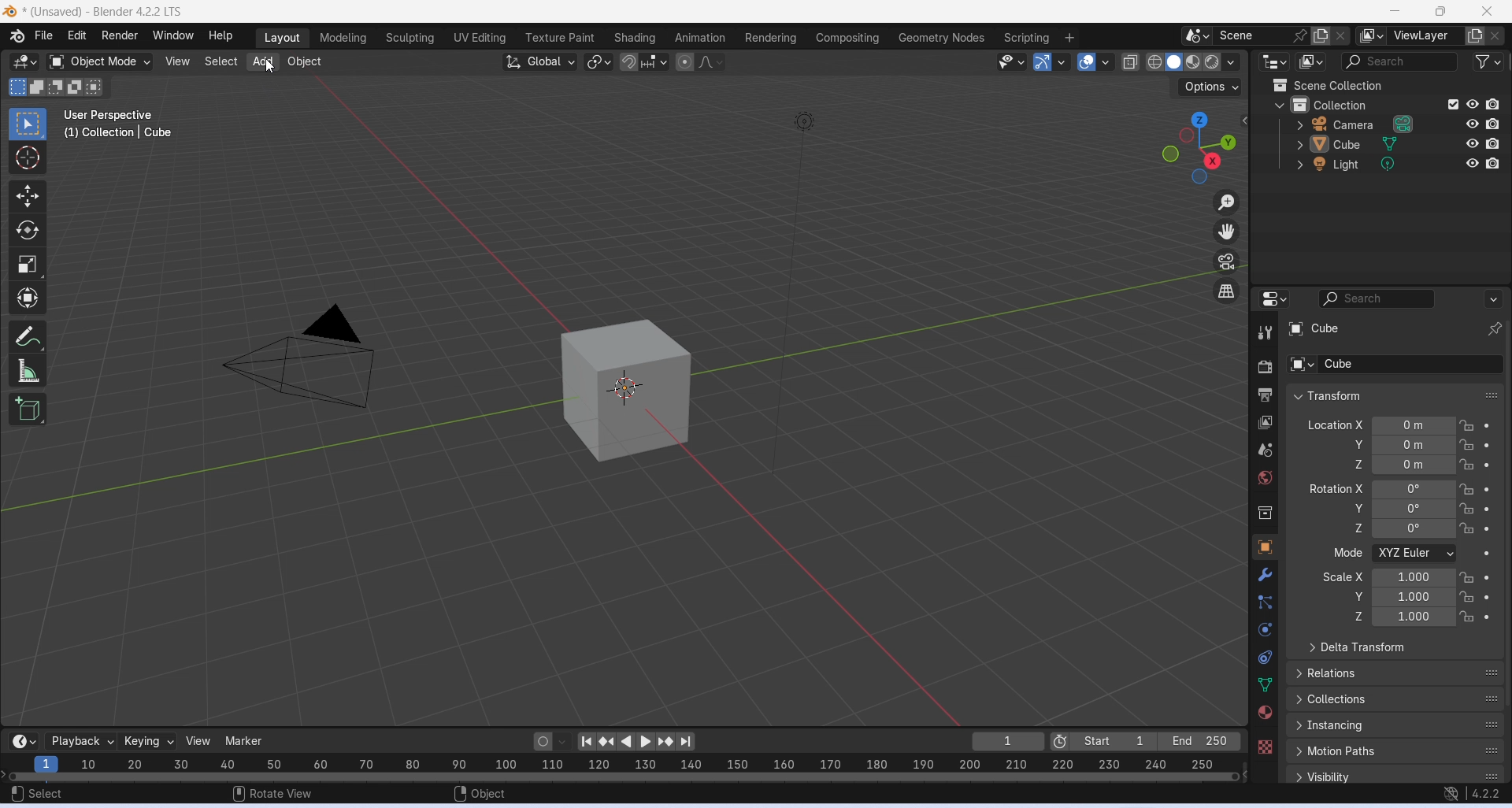 The height and width of the screenshot is (808, 1512). I want to click on Scripting, so click(1025, 38).